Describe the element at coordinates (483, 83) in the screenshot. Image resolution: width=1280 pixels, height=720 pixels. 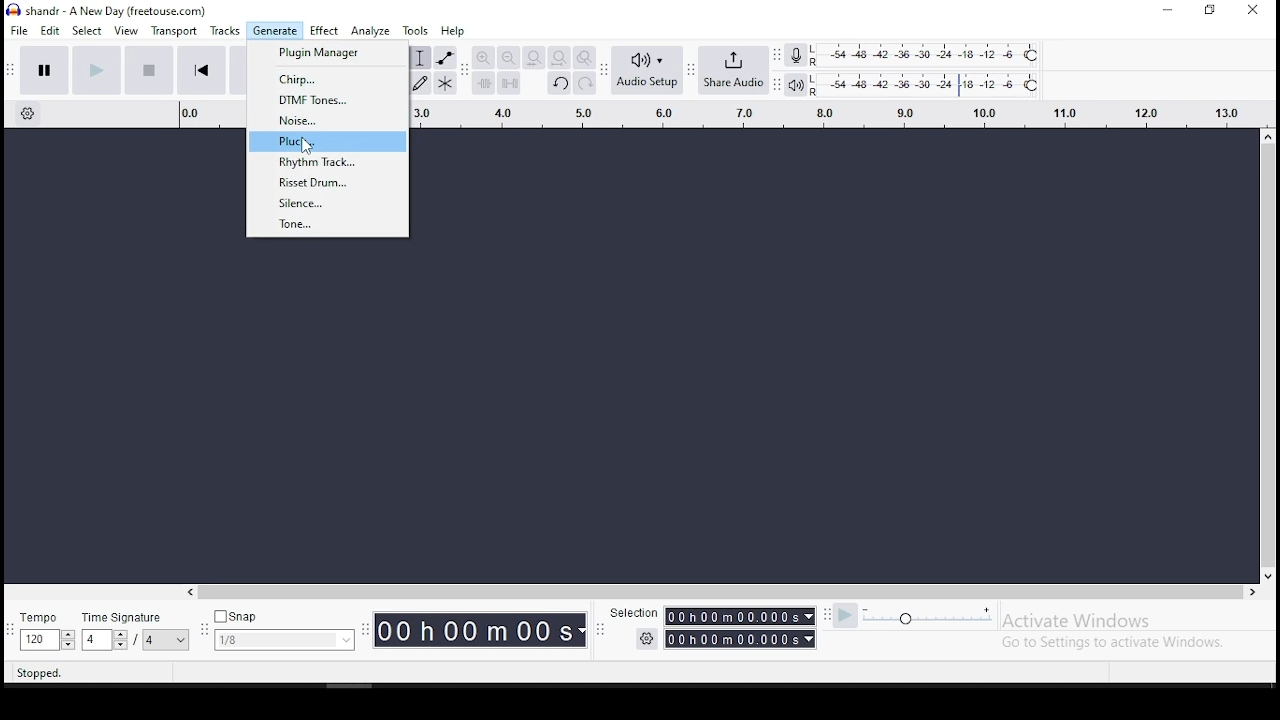
I see `trim audio outside selection` at that location.